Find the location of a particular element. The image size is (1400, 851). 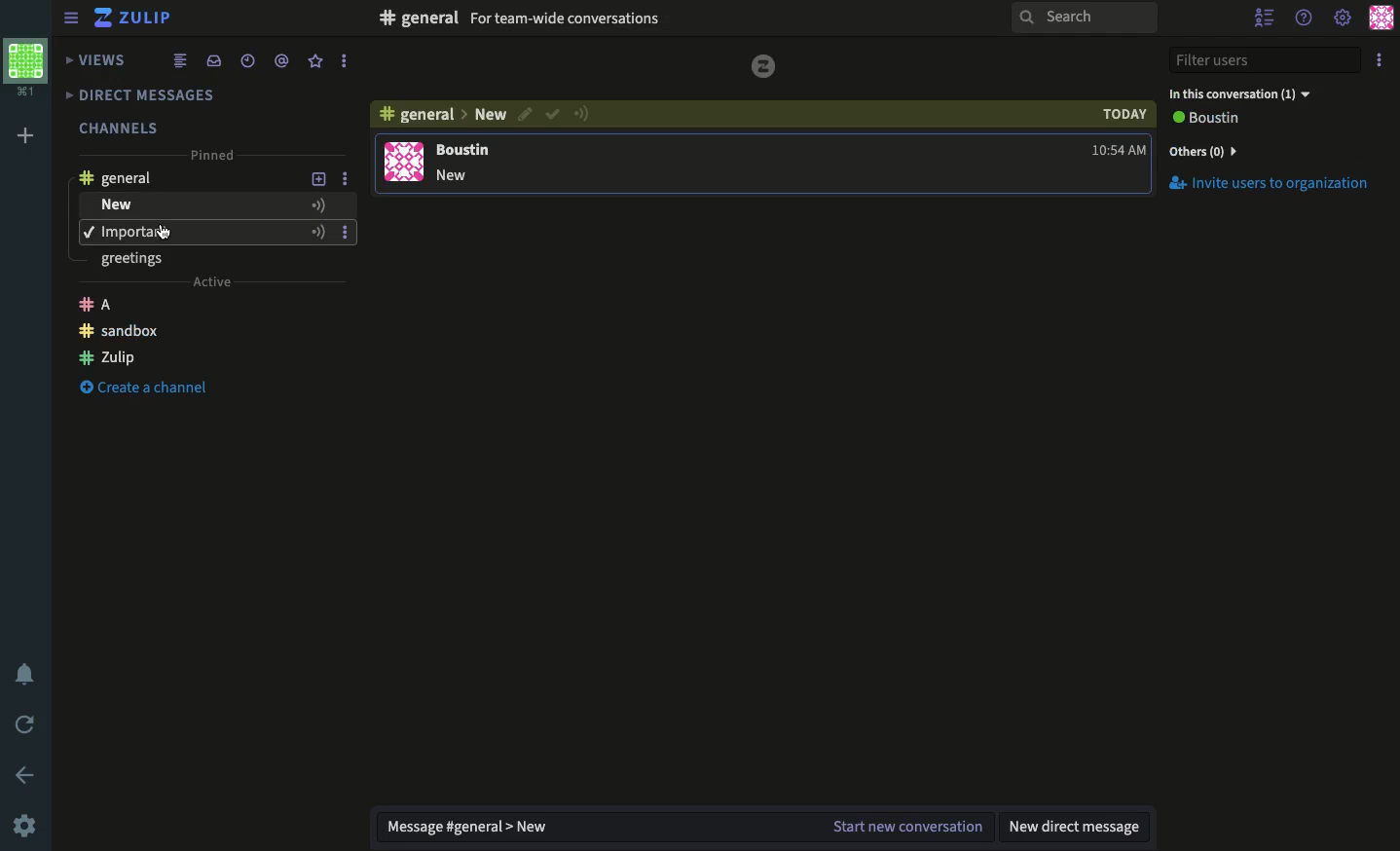

Add is located at coordinates (28, 133).